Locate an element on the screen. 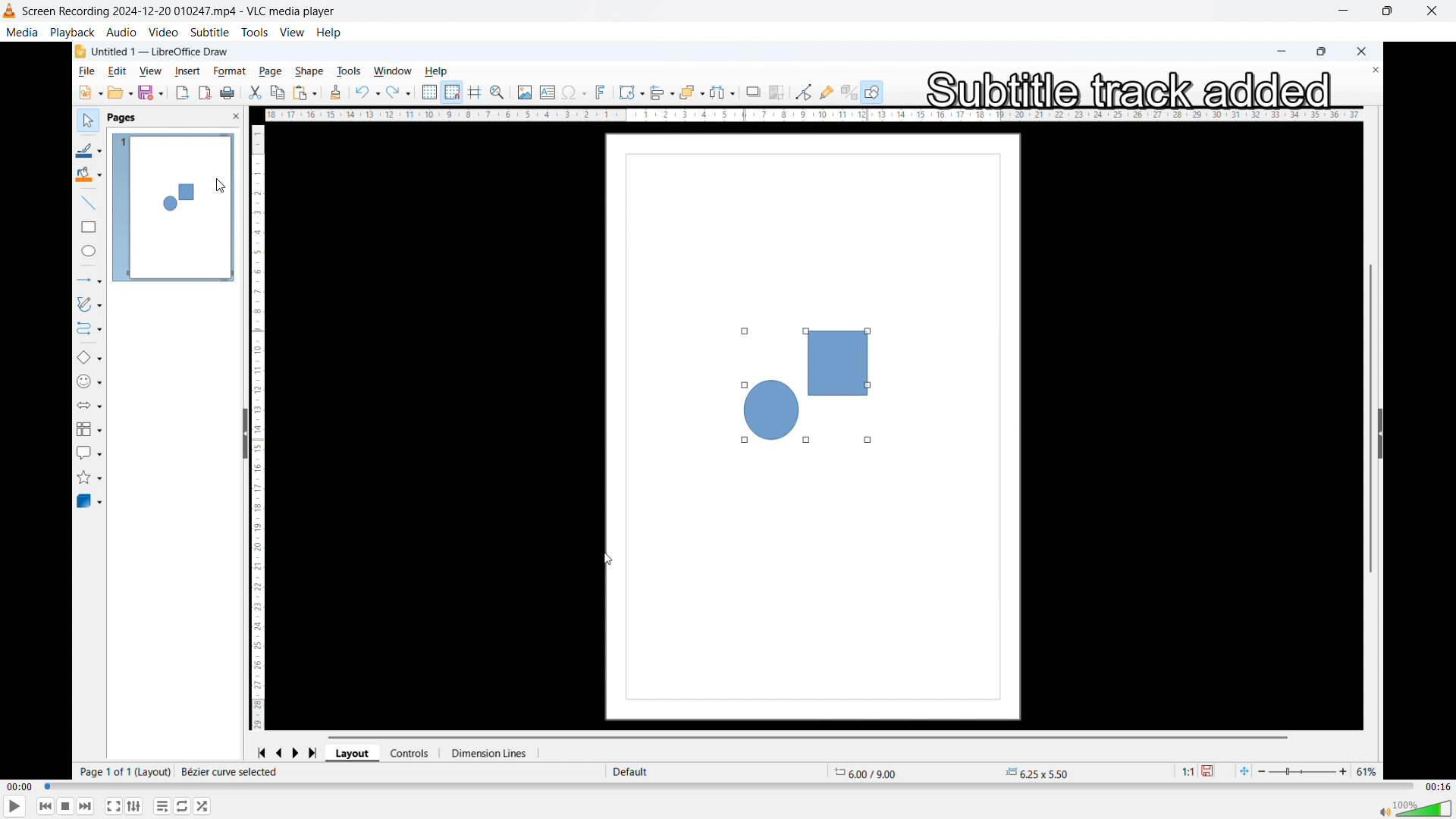 The width and height of the screenshot is (1456, 819). helpline while moving is located at coordinates (477, 93).